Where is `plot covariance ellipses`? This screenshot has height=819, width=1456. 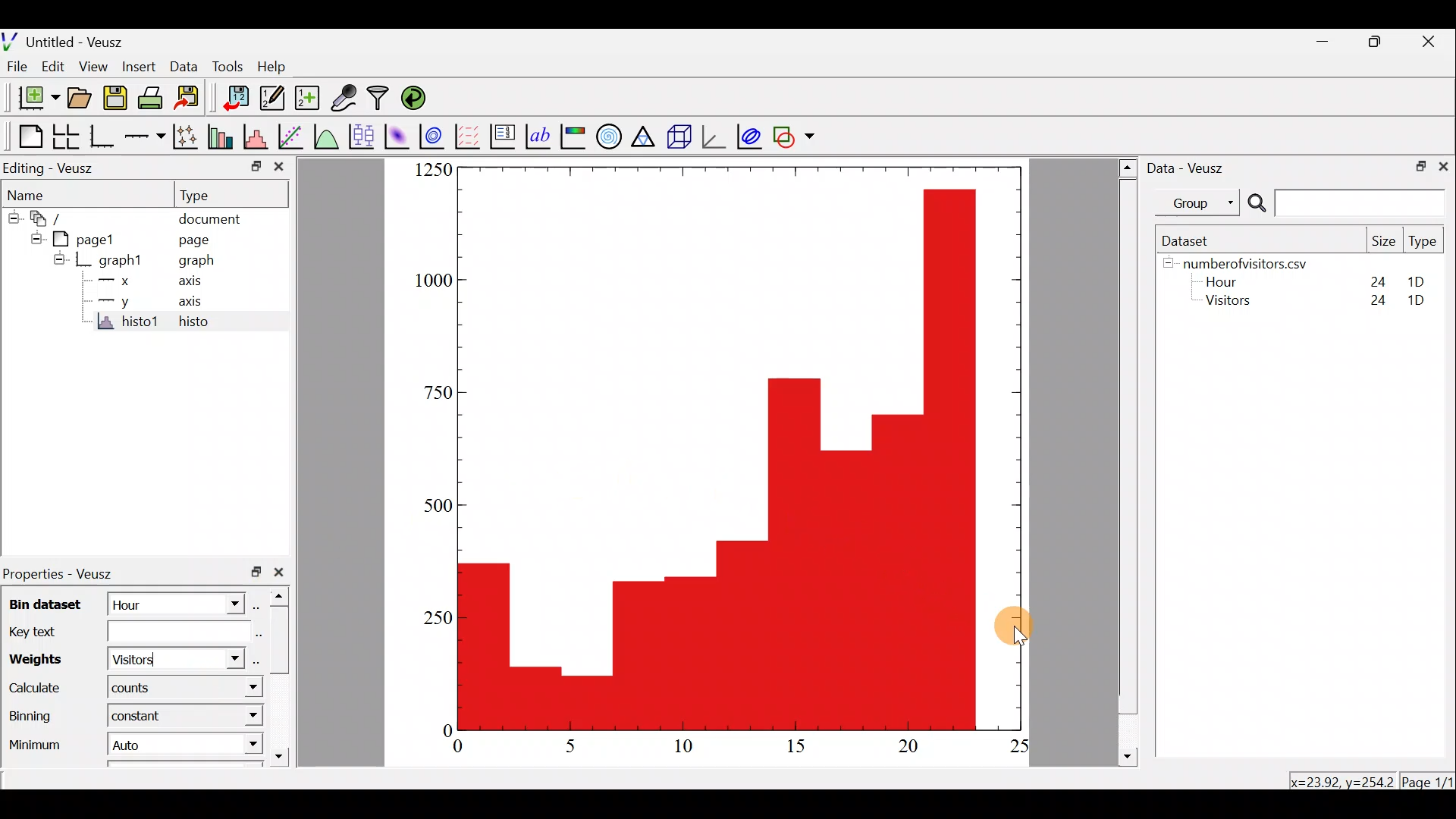 plot covariance ellipses is located at coordinates (747, 139).